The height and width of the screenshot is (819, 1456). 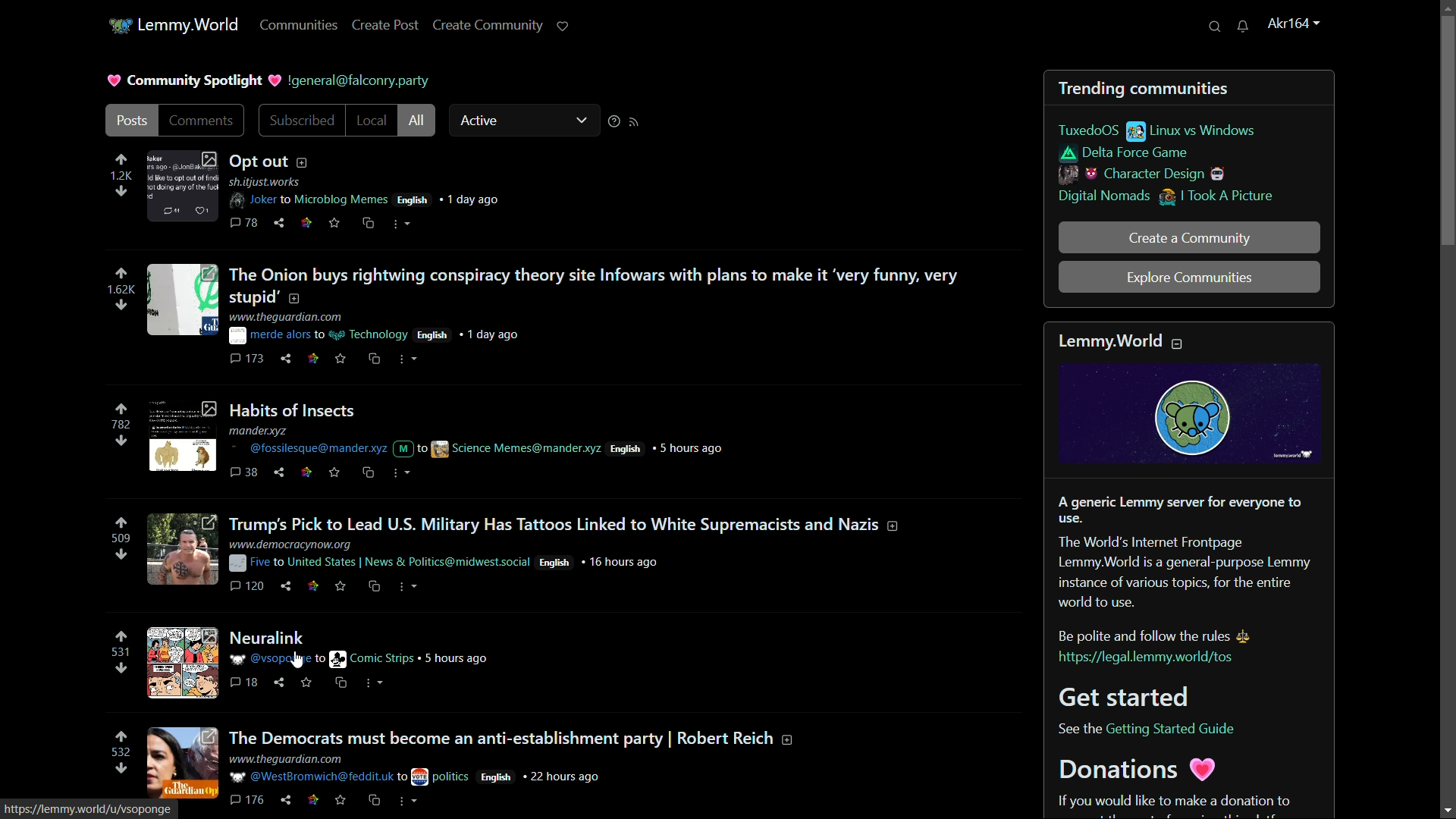 I want to click on sorting help, so click(x=613, y=121).